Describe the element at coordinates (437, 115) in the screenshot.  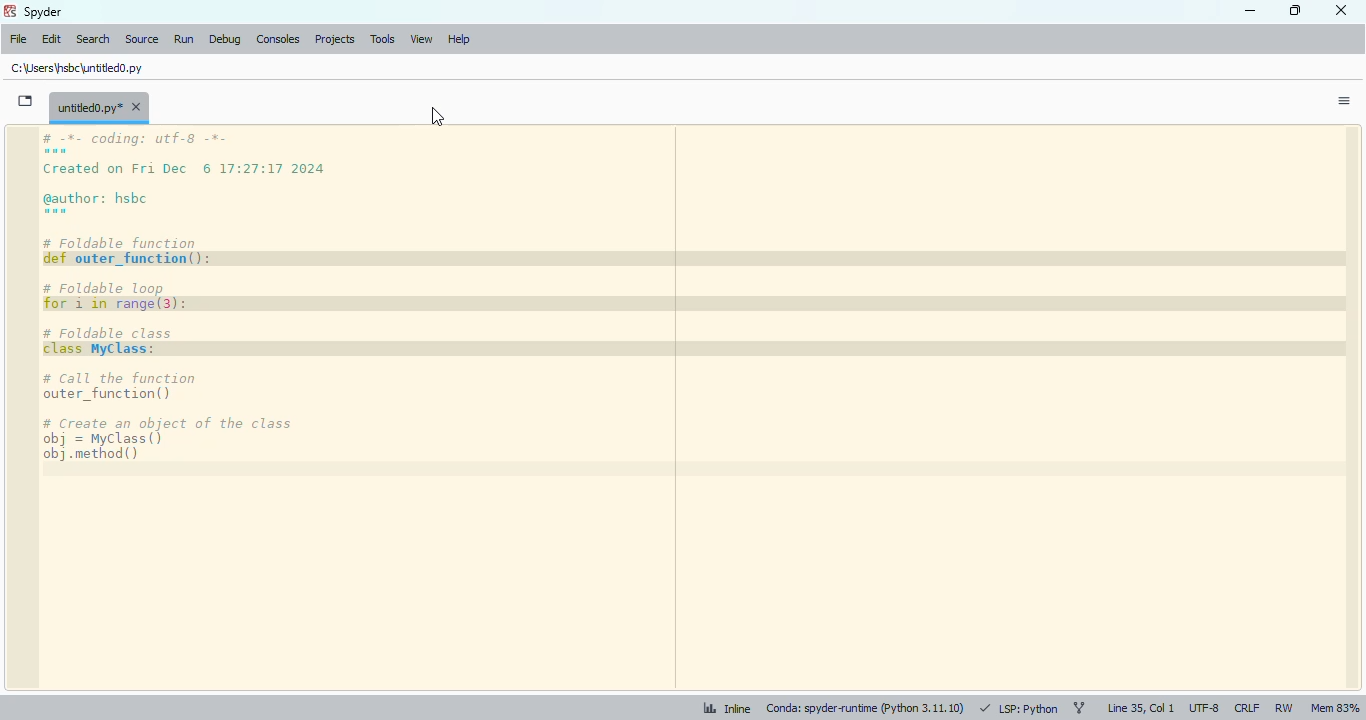
I see `hotkey (Ctrl + Shift + X)` at that location.